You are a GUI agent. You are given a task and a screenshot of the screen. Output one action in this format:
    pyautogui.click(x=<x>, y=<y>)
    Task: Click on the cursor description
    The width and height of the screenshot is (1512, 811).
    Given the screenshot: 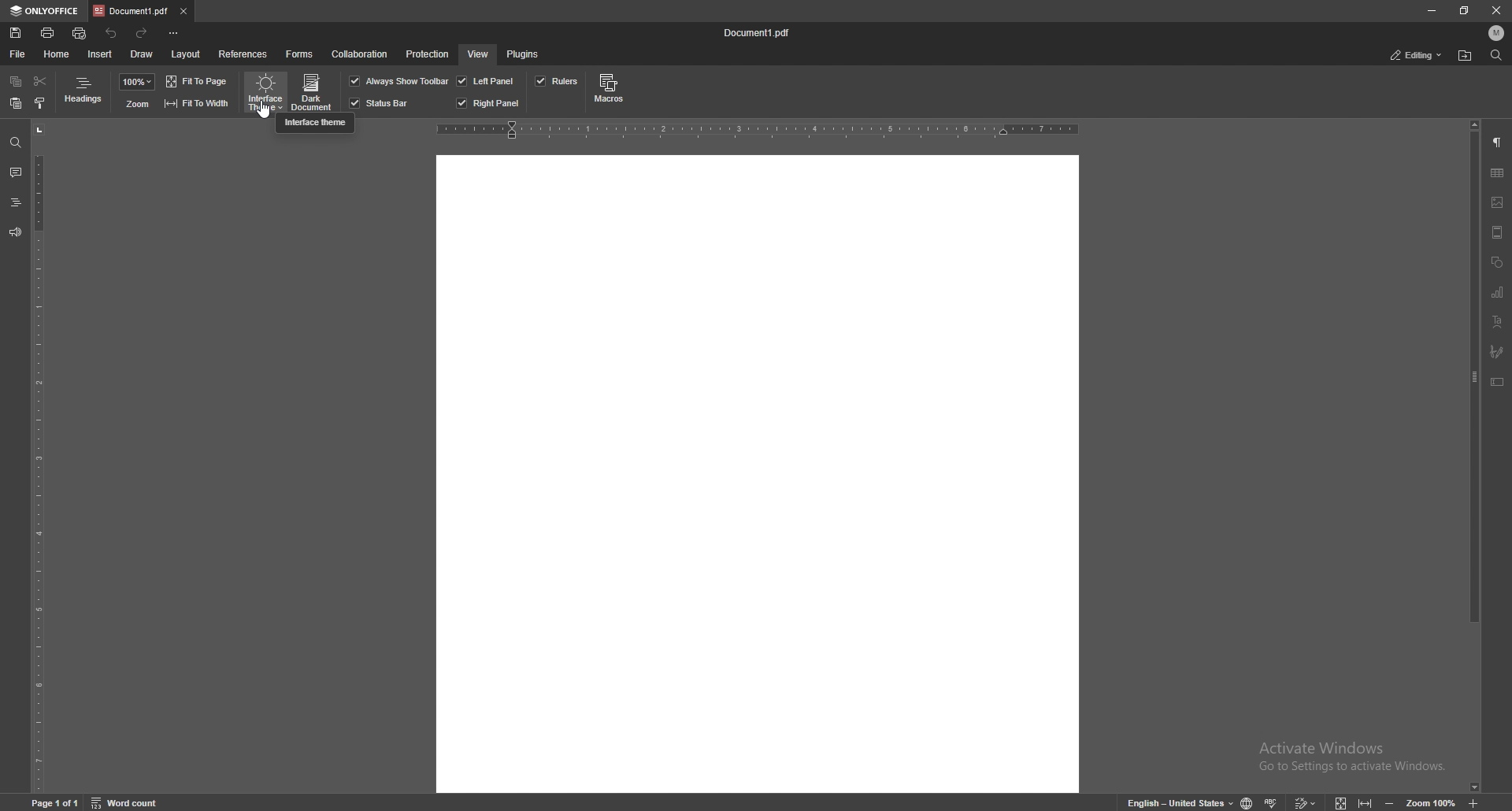 What is the action you would take?
    pyautogui.click(x=314, y=123)
    